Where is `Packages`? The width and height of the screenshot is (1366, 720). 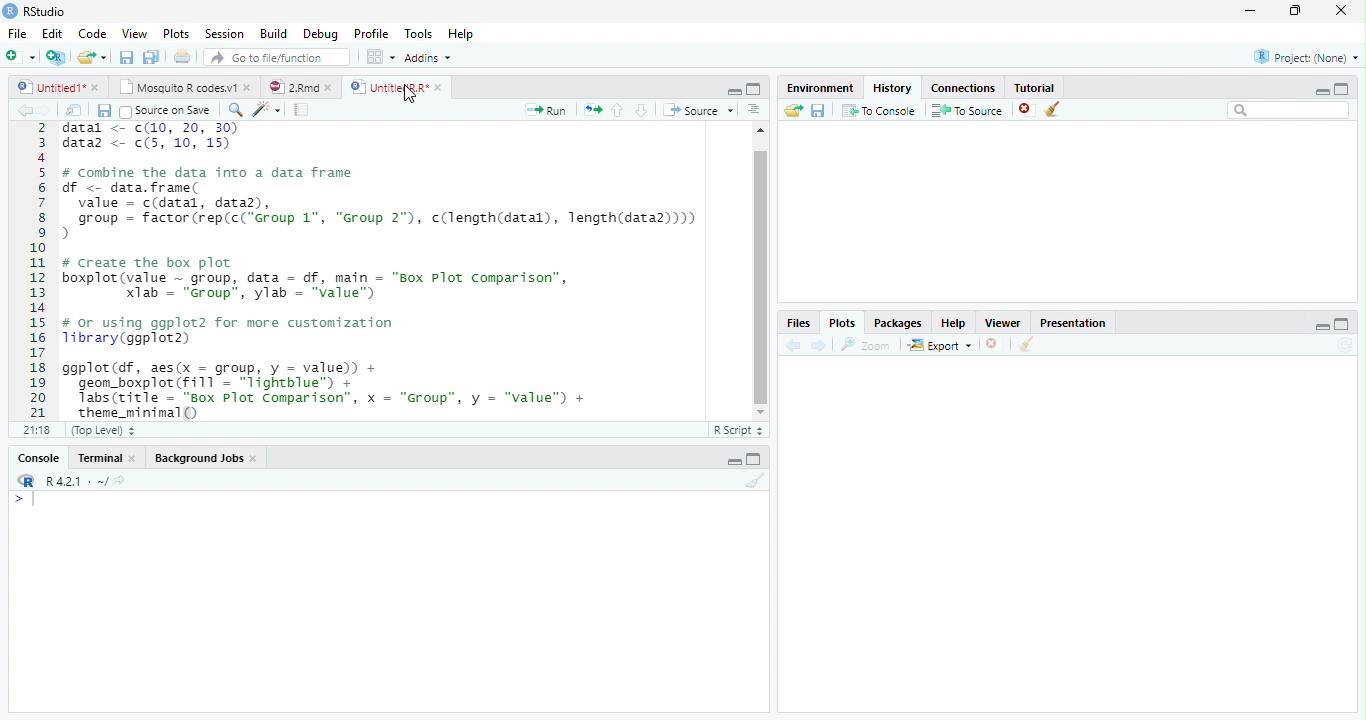 Packages is located at coordinates (898, 322).